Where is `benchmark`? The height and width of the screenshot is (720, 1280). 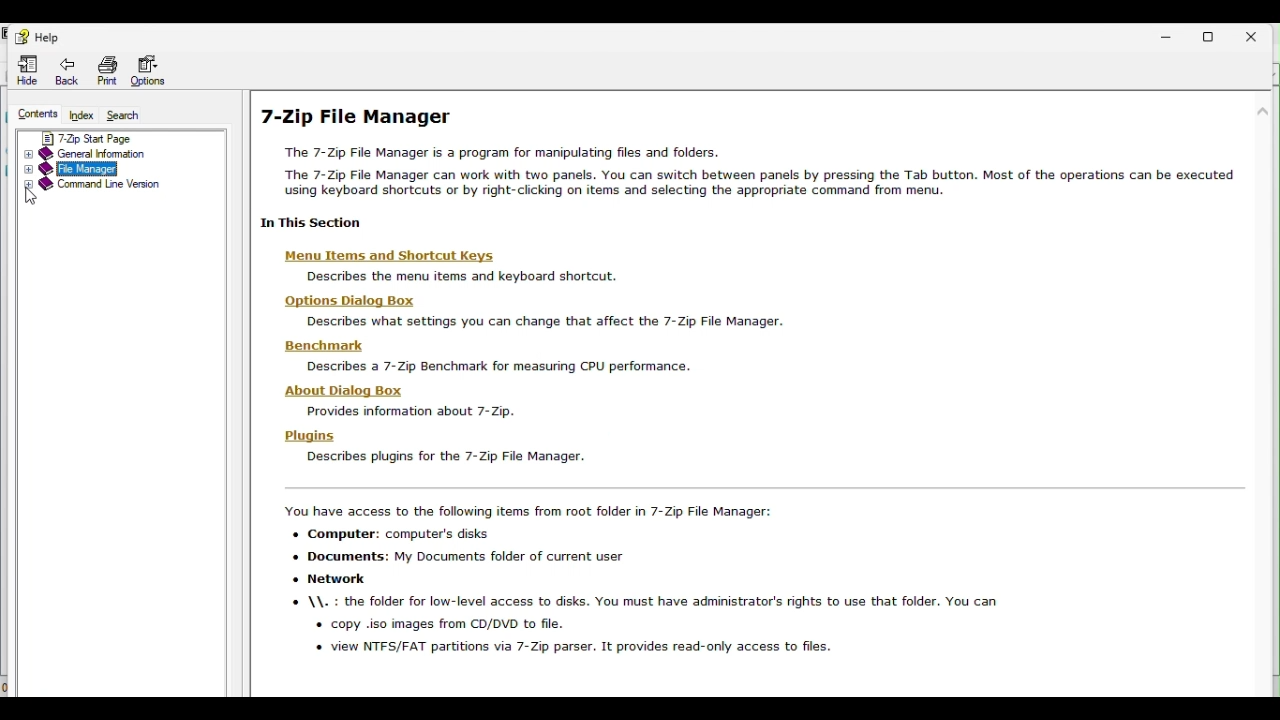
benchmark is located at coordinates (332, 349).